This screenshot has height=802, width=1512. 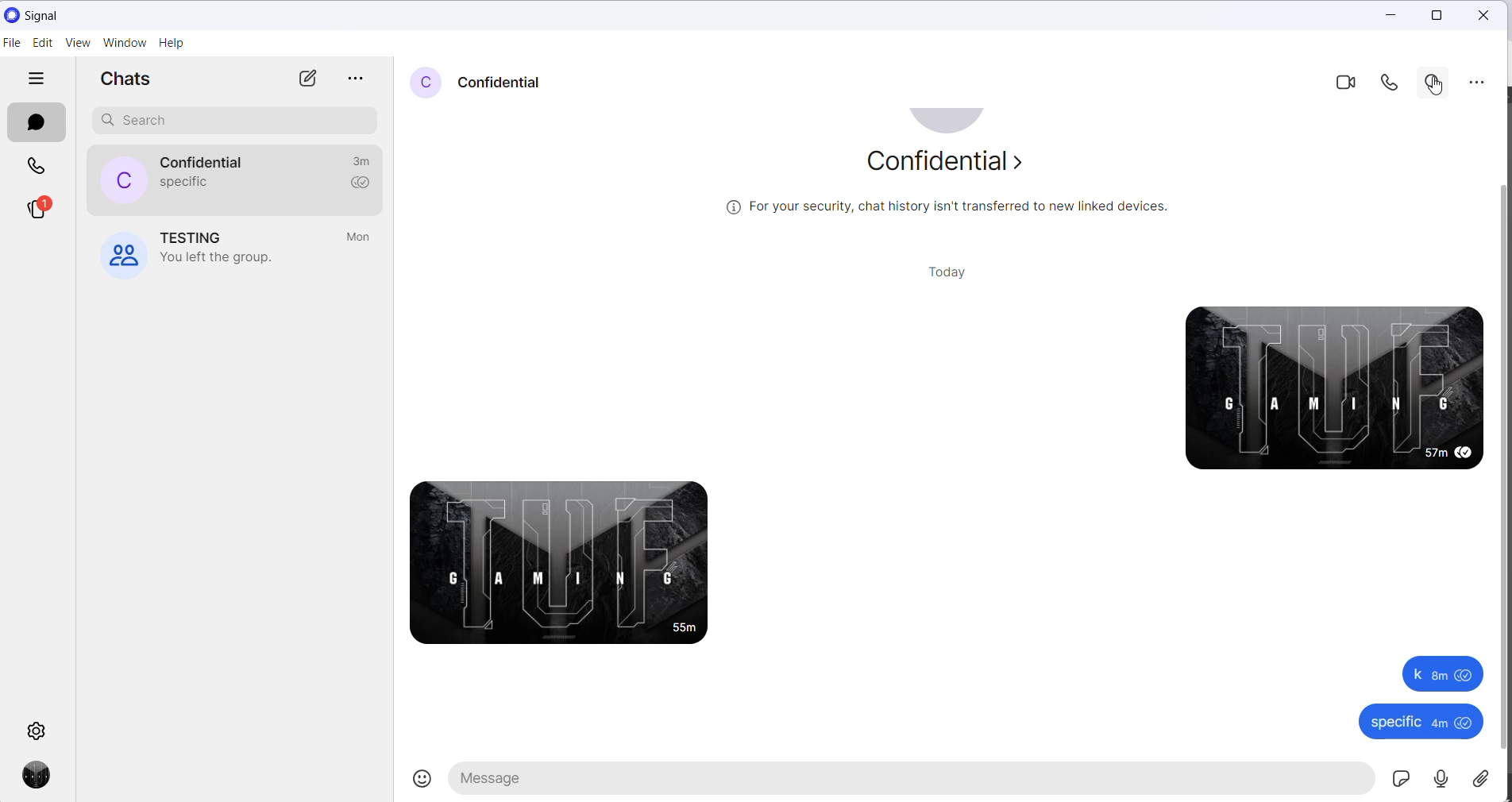 What do you see at coordinates (362, 159) in the screenshot?
I see `last active time` at bounding box center [362, 159].